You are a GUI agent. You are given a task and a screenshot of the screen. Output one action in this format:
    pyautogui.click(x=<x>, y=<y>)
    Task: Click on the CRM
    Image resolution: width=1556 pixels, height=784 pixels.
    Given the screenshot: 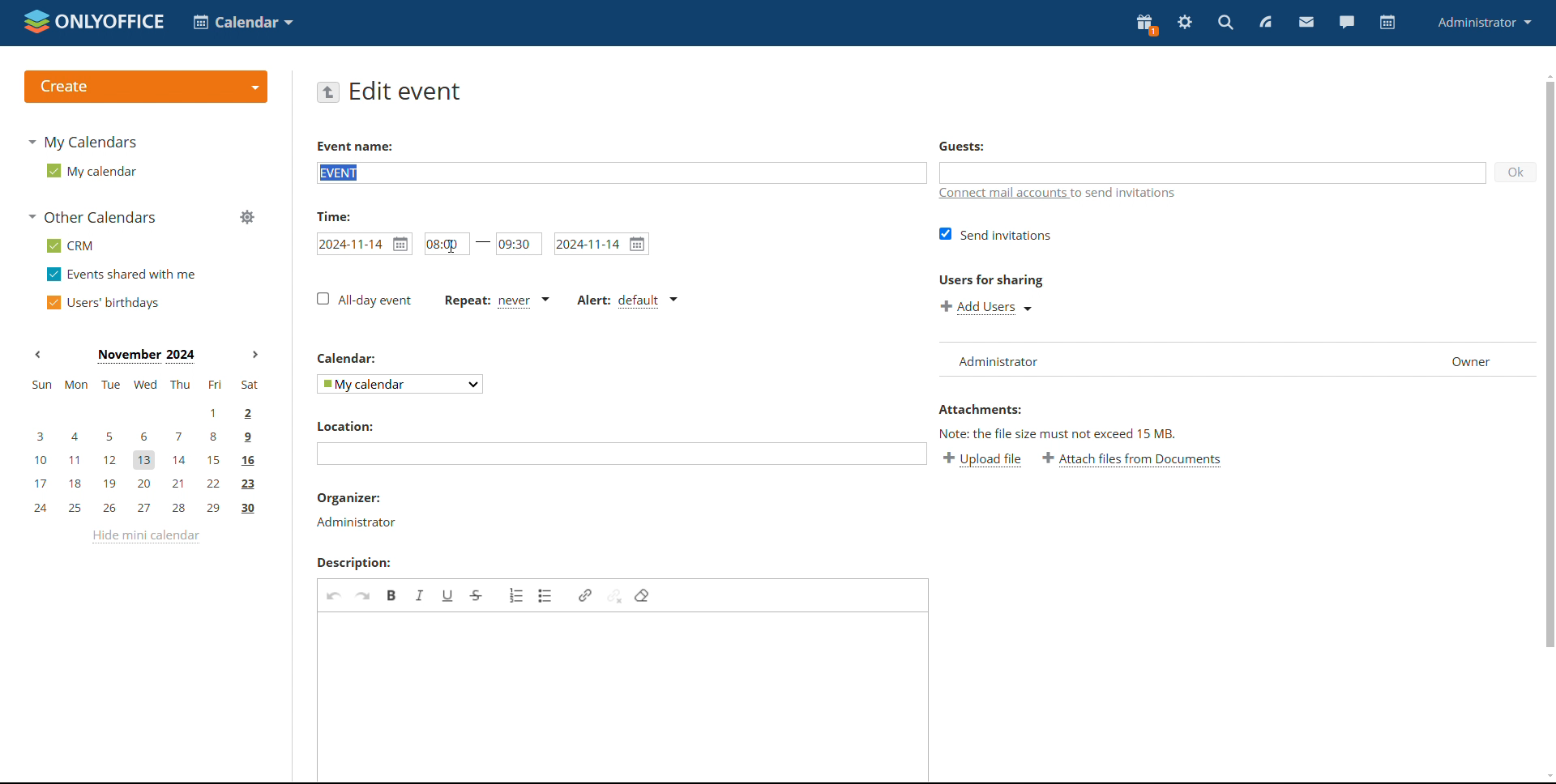 What is the action you would take?
    pyautogui.click(x=71, y=245)
    